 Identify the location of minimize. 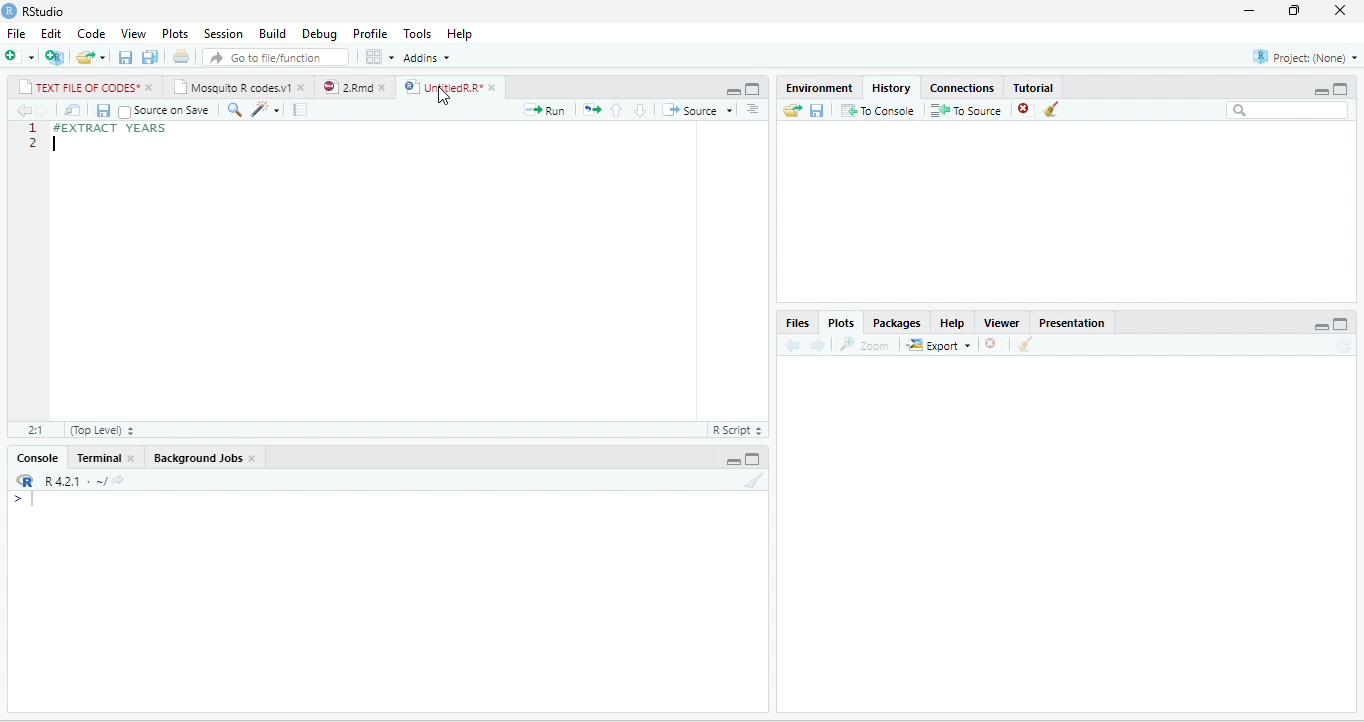
(1321, 326).